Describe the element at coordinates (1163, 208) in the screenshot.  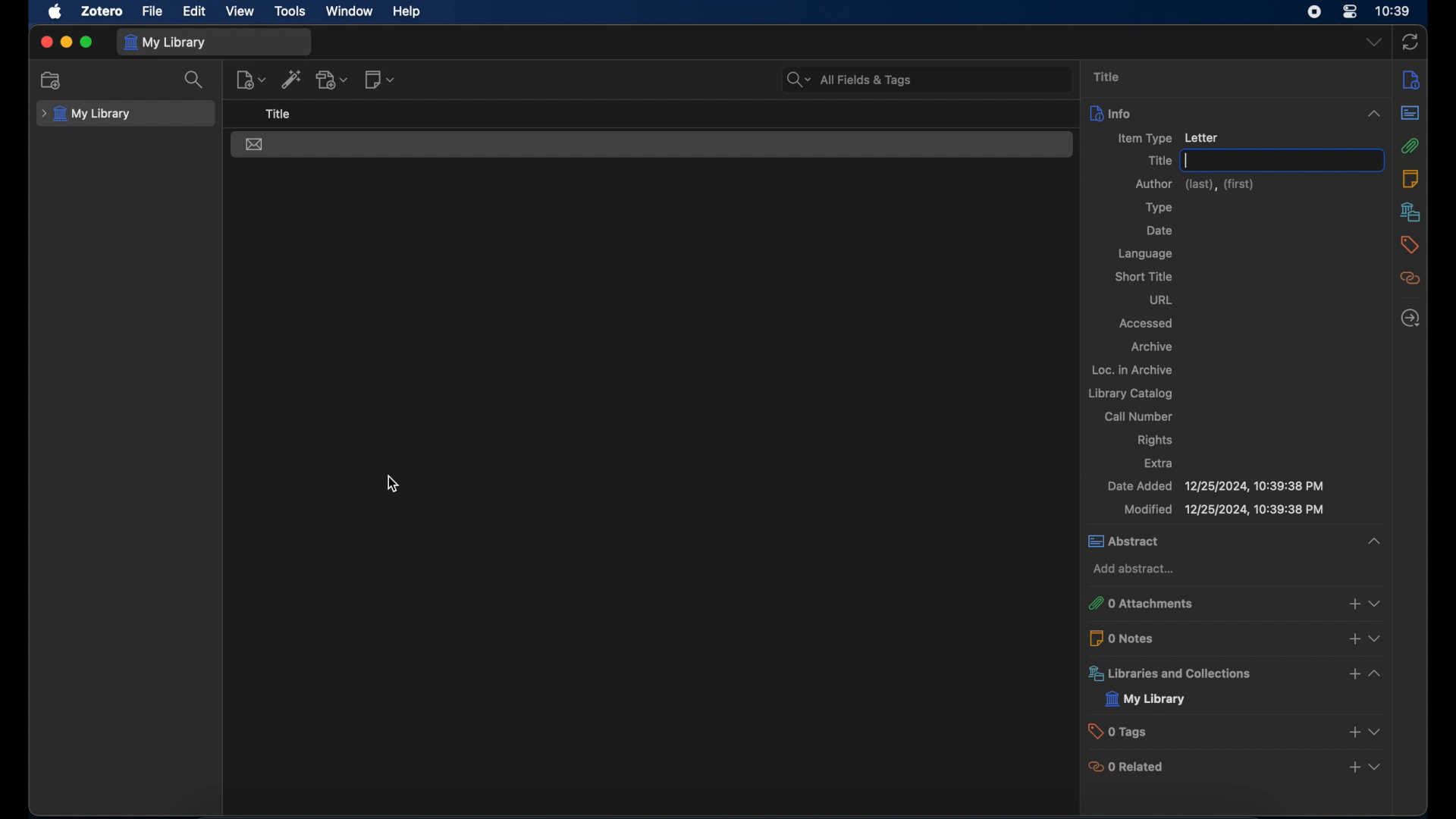
I see `type` at that location.